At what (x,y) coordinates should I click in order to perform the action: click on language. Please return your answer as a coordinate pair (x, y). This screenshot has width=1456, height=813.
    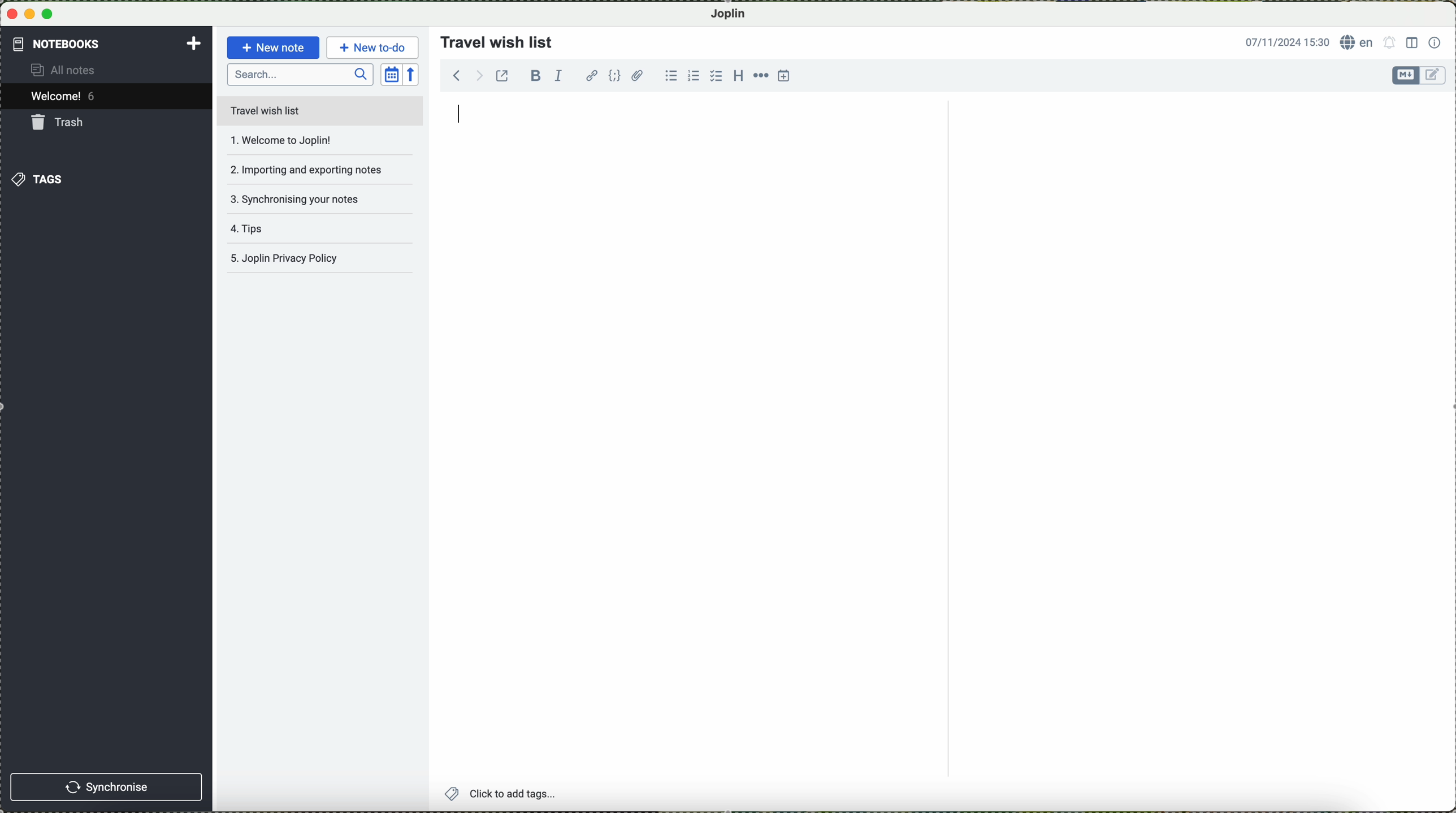
    Looking at the image, I should click on (1357, 42).